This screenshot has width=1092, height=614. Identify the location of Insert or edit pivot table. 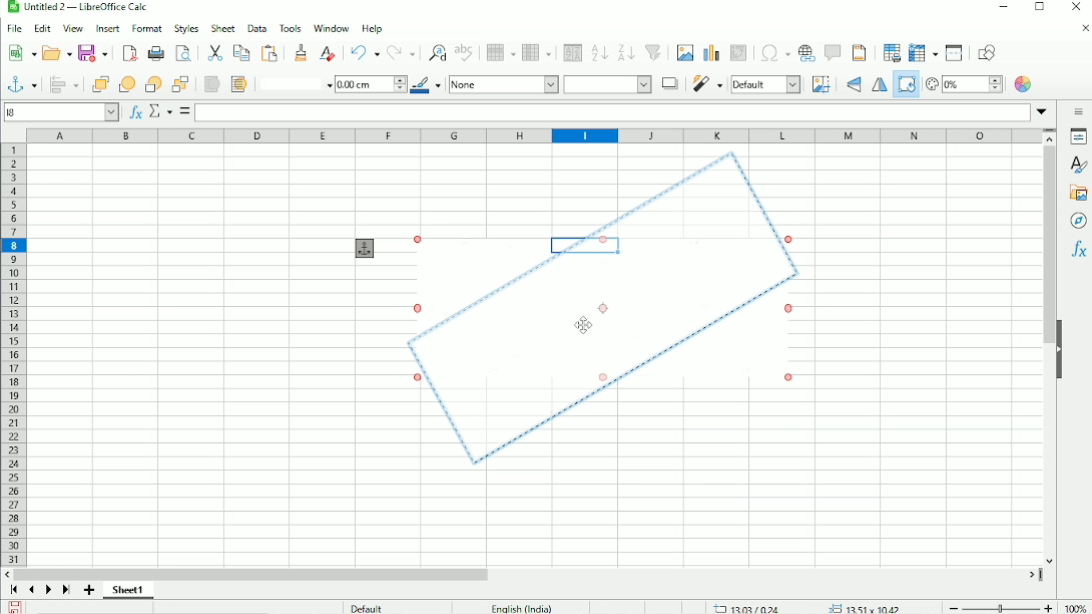
(739, 53).